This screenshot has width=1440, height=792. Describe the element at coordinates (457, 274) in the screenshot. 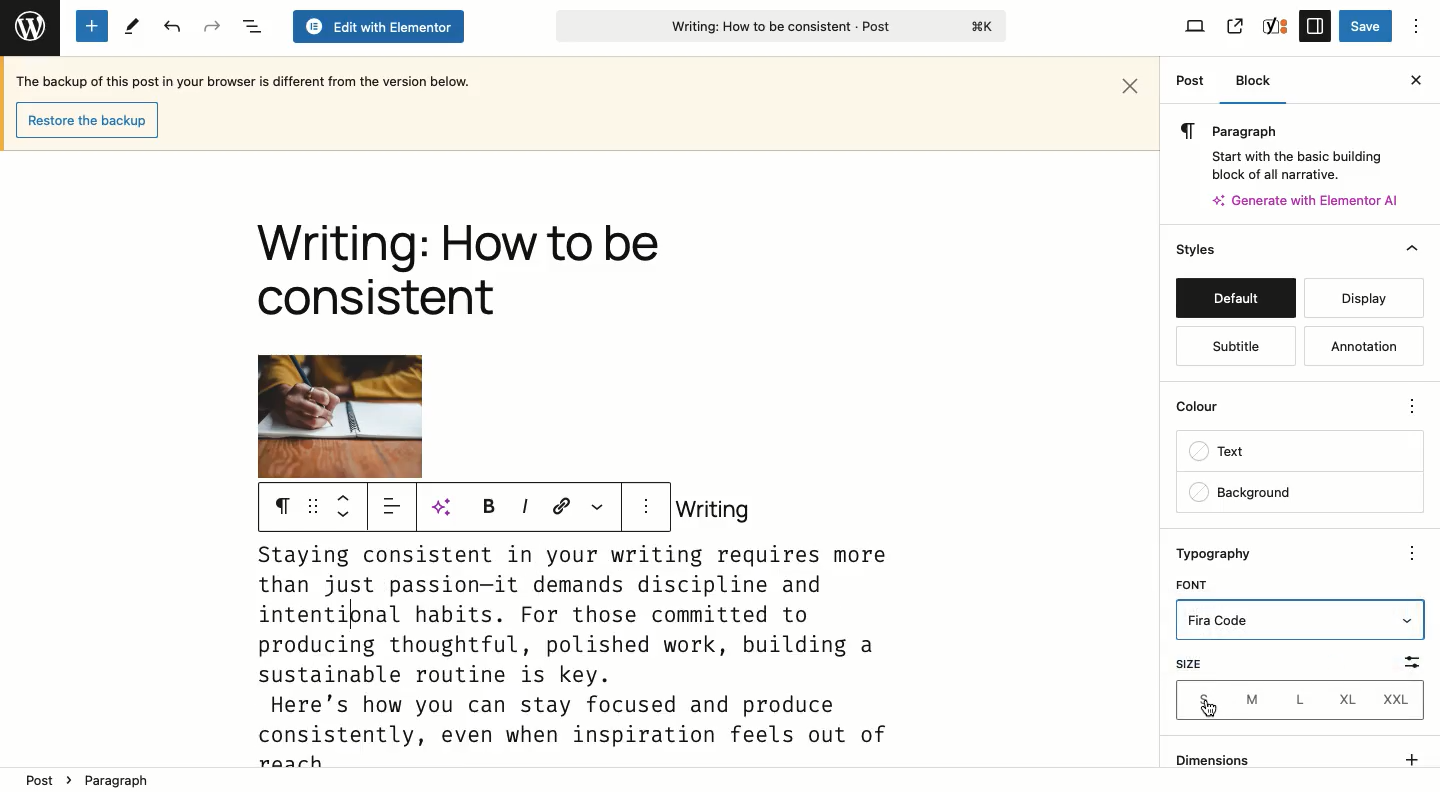

I see `Title` at that location.